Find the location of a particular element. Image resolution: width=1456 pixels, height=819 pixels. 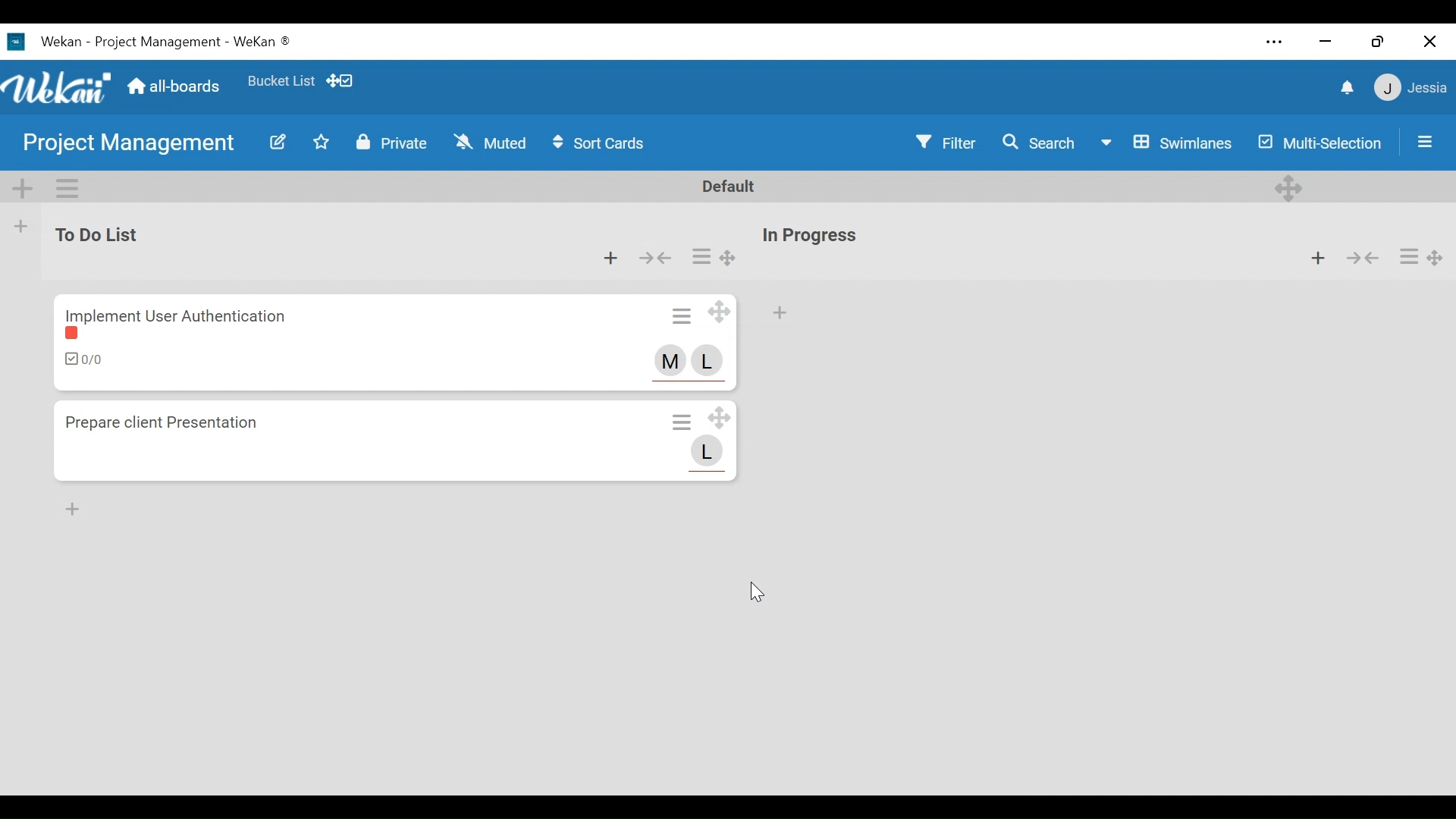

List Title is located at coordinates (811, 236).